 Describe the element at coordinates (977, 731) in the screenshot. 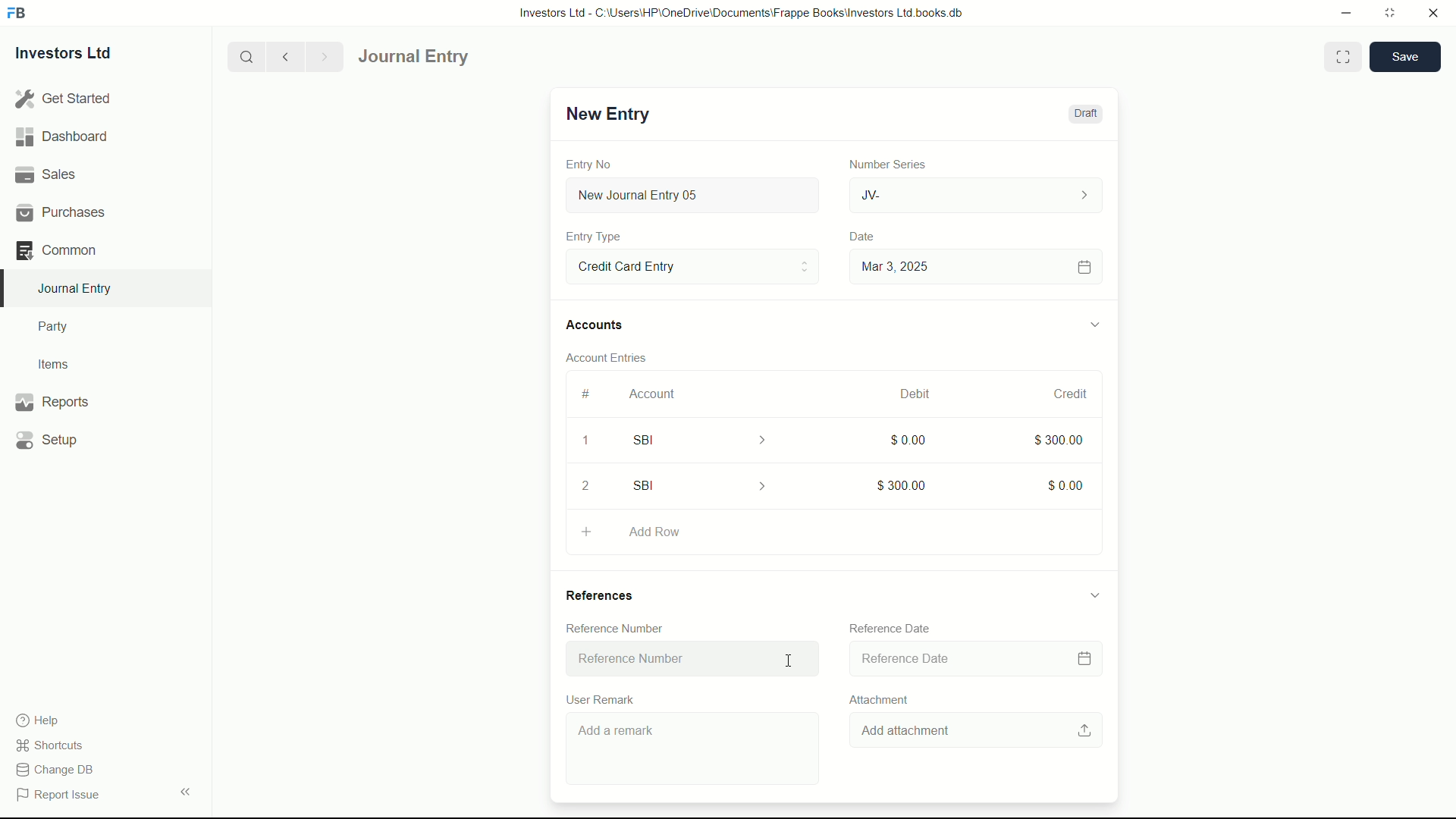

I see `Add attachment` at that location.